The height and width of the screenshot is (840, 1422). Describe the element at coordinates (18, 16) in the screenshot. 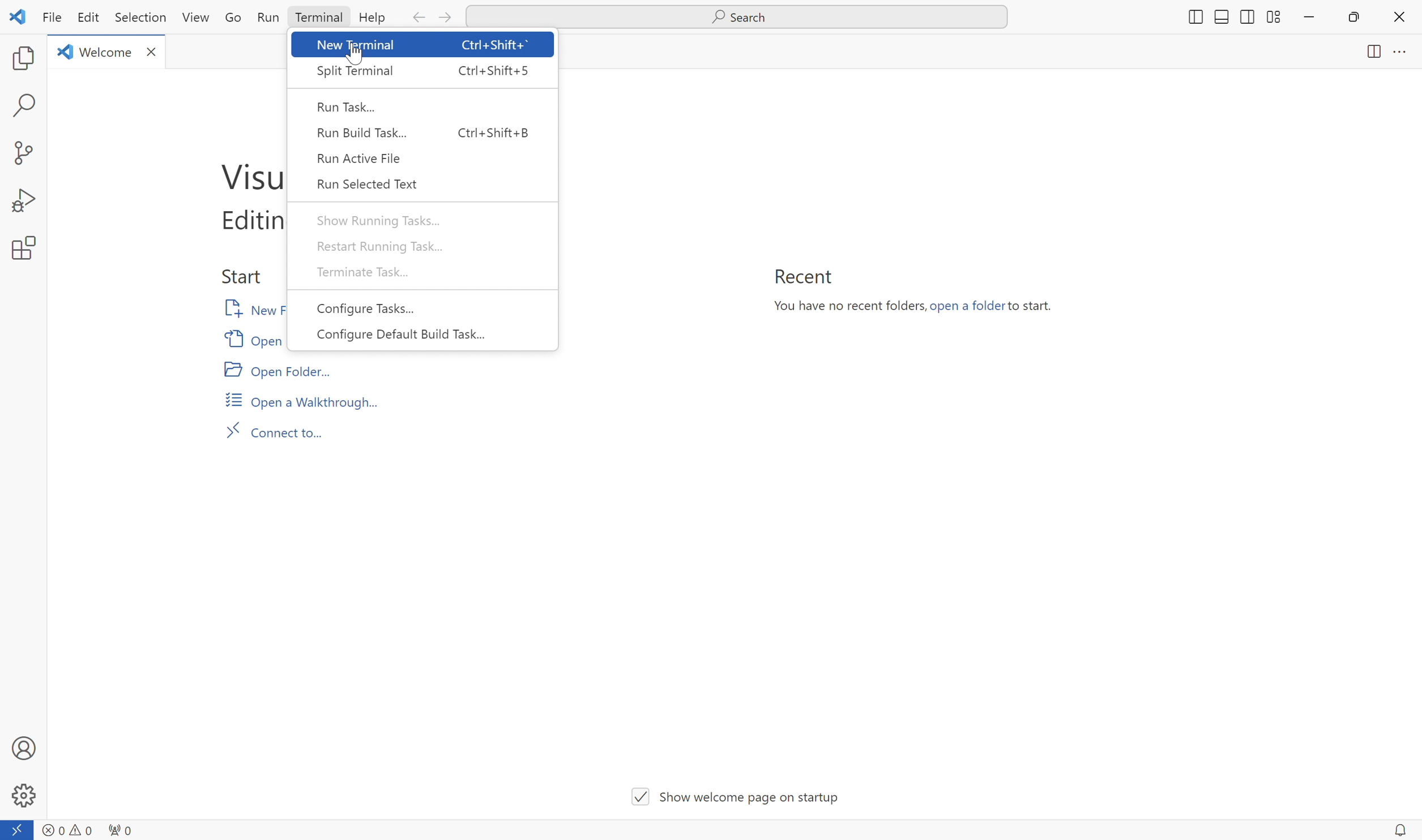

I see `icon` at that location.